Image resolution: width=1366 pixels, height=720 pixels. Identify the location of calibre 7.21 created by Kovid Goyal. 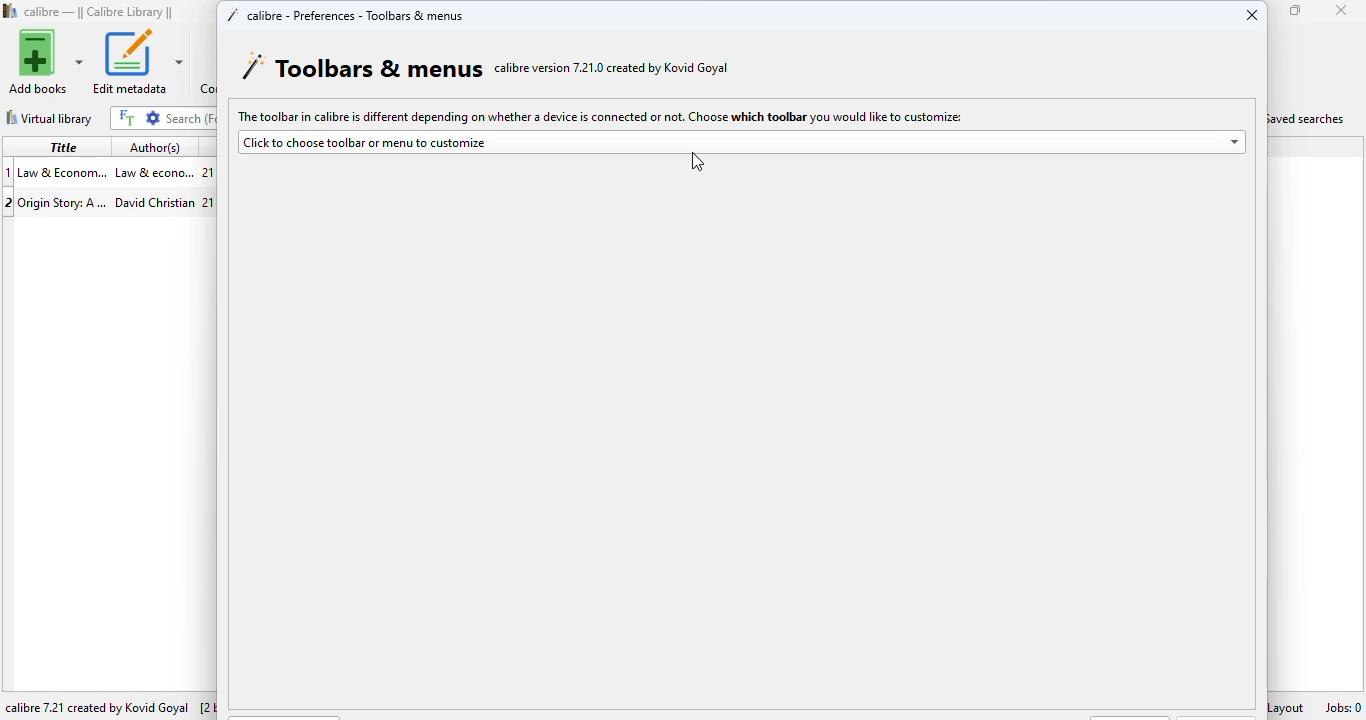
(98, 708).